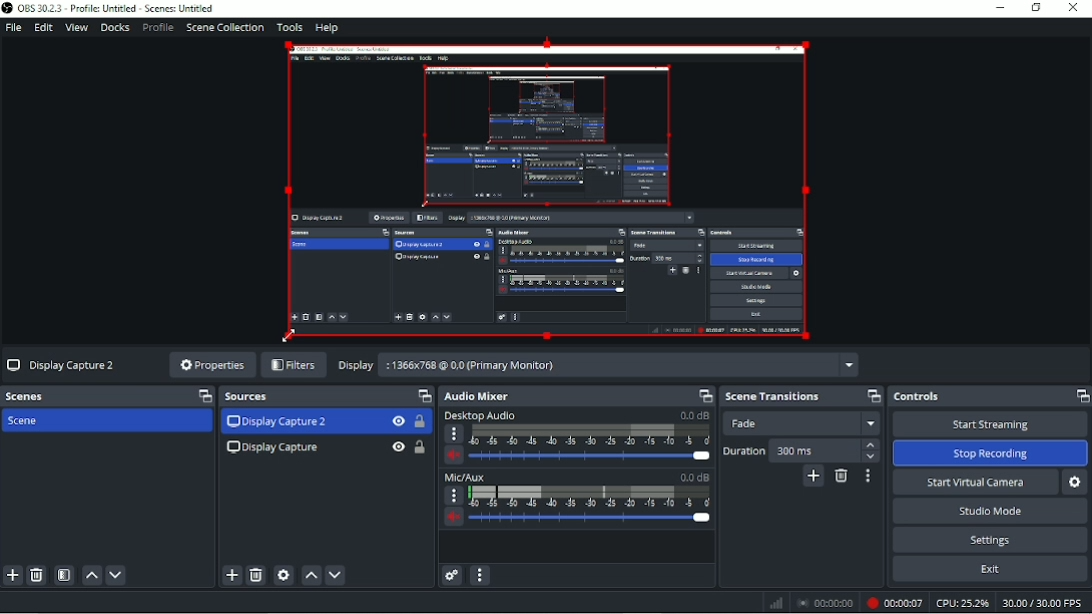  I want to click on Display Capture, so click(271, 448).